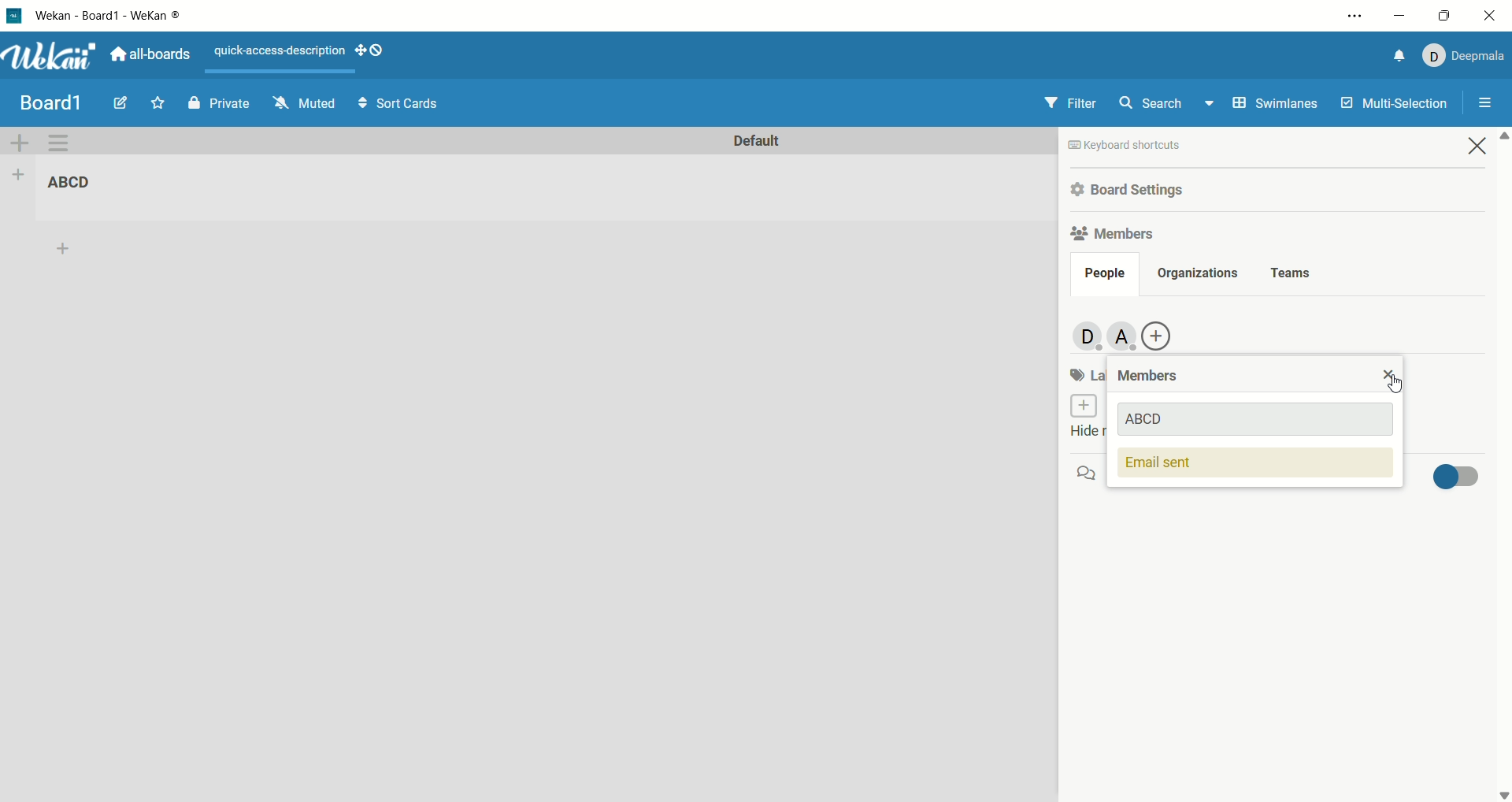 This screenshot has width=1512, height=802. What do you see at coordinates (157, 102) in the screenshot?
I see `favorite` at bounding box center [157, 102].